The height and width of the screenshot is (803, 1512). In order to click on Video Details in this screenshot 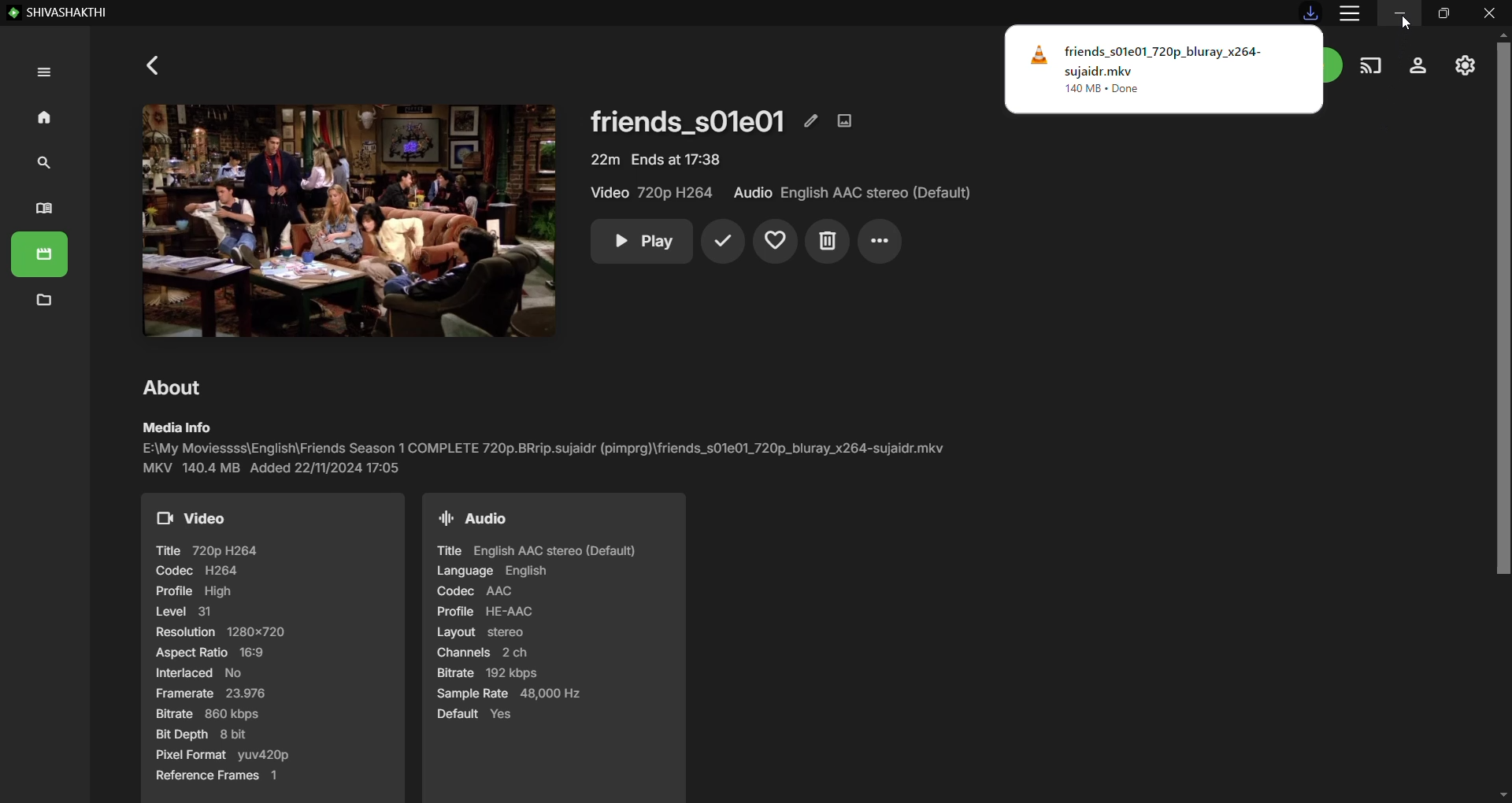, I will do `click(656, 159)`.